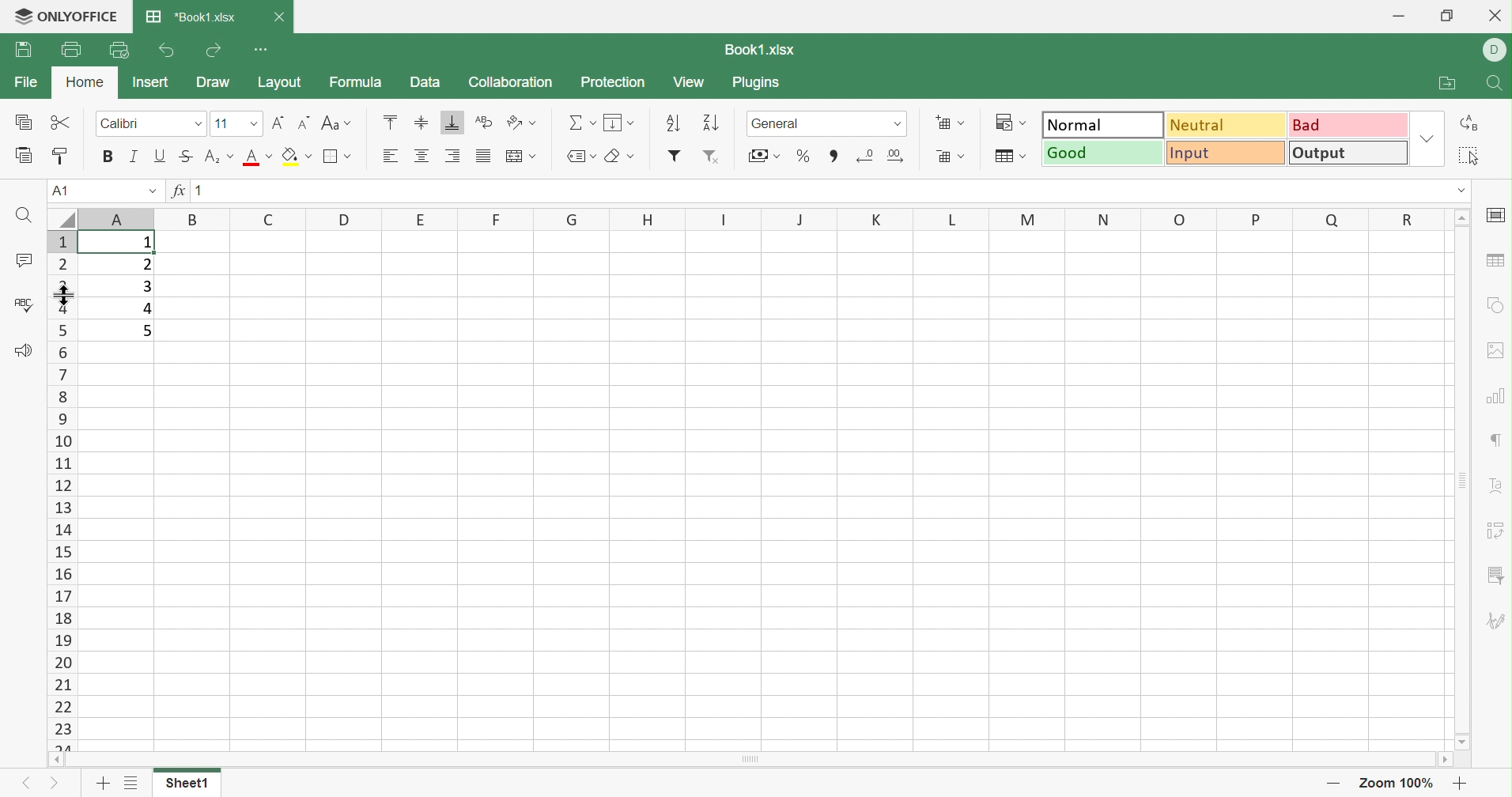 The image size is (1512, 797). I want to click on View, so click(690, 82).